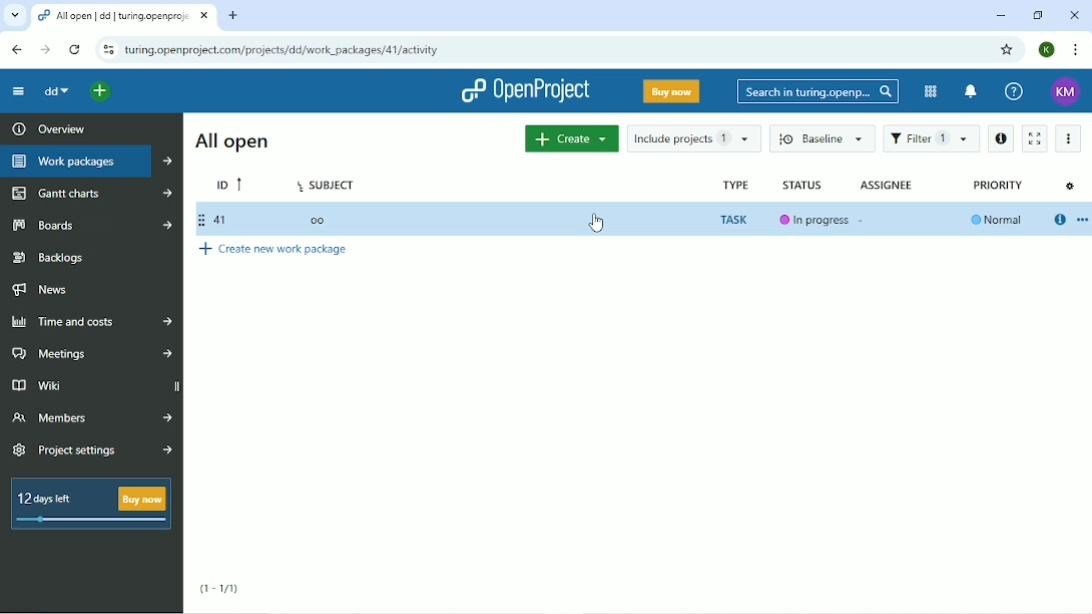 This screenshot has height=614, width=1092. I want to click on Baseline, so click(822, 138).